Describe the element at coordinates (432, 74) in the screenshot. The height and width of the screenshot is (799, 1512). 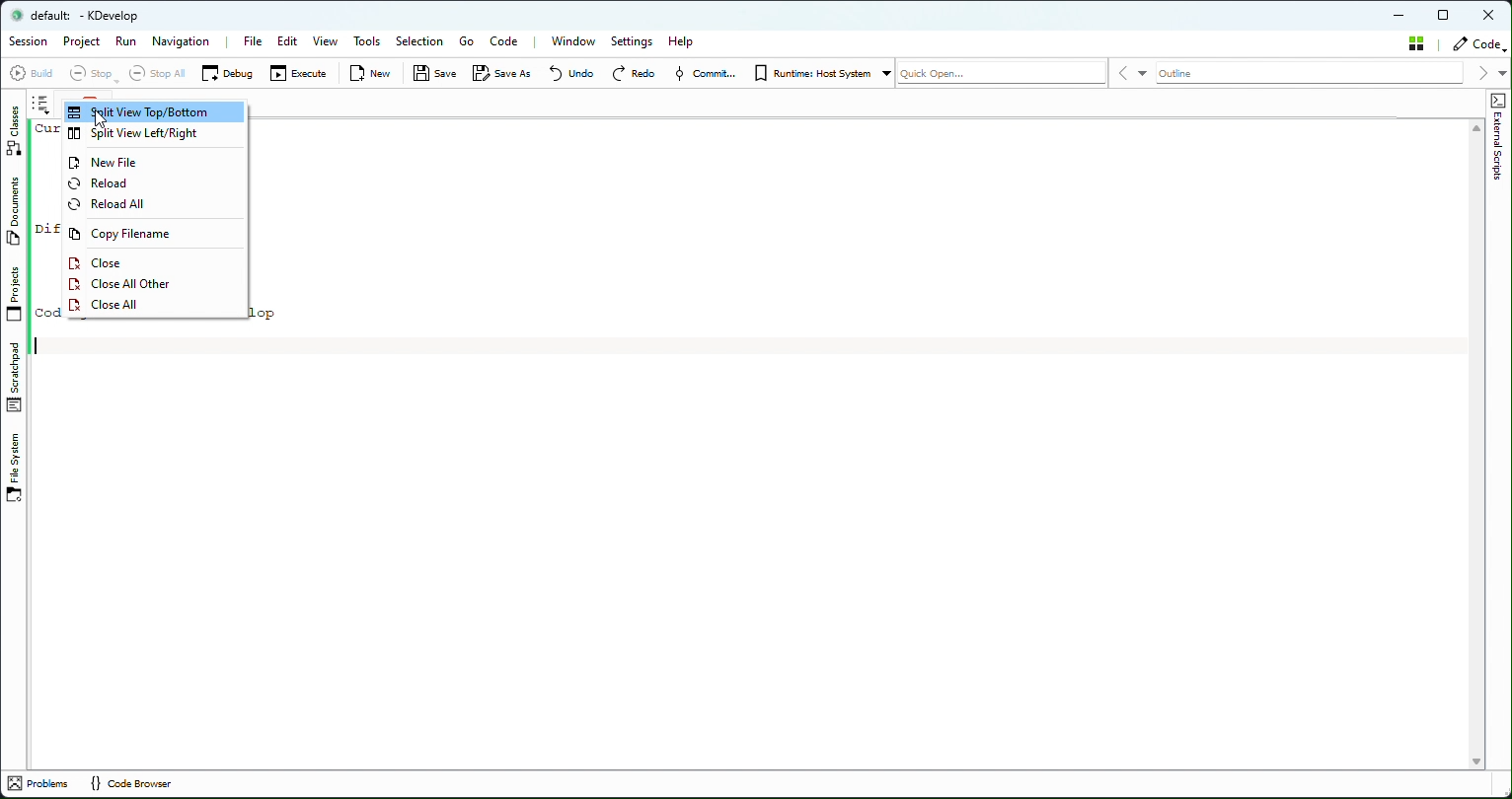
I see `Save` at that location.